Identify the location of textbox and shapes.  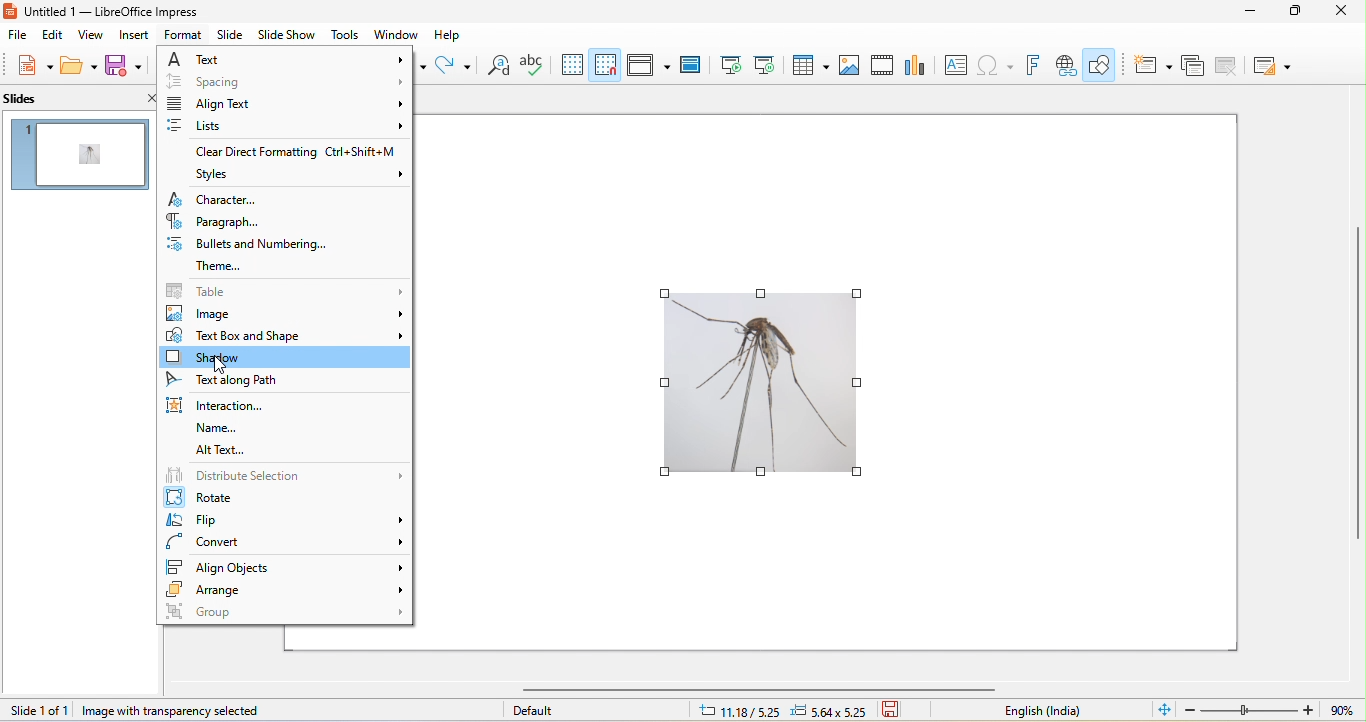
(285, 334).